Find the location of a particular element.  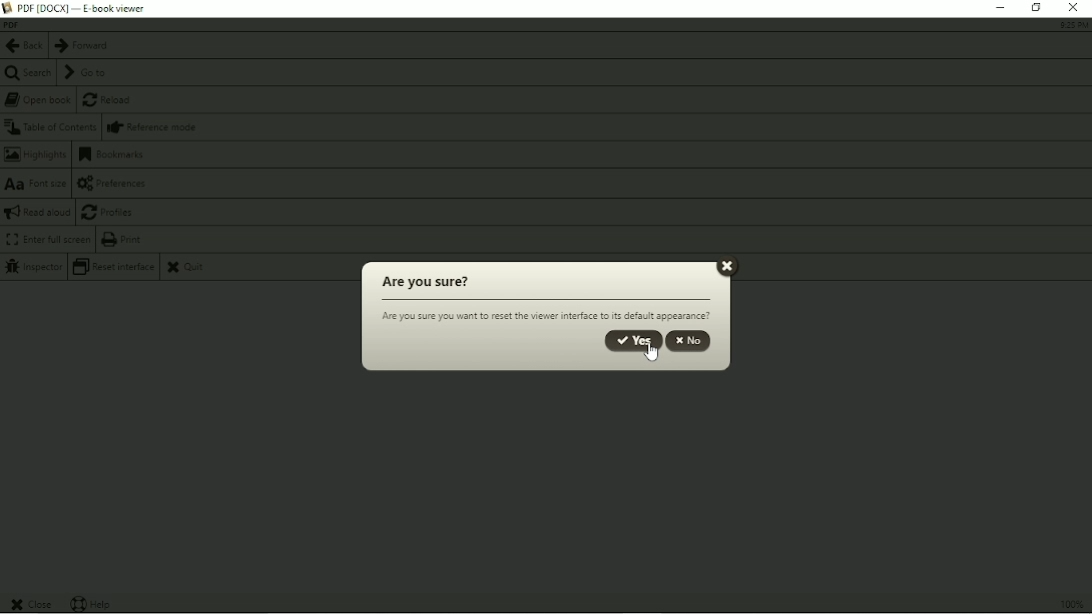

Close is located at coordinates (1074, 8).